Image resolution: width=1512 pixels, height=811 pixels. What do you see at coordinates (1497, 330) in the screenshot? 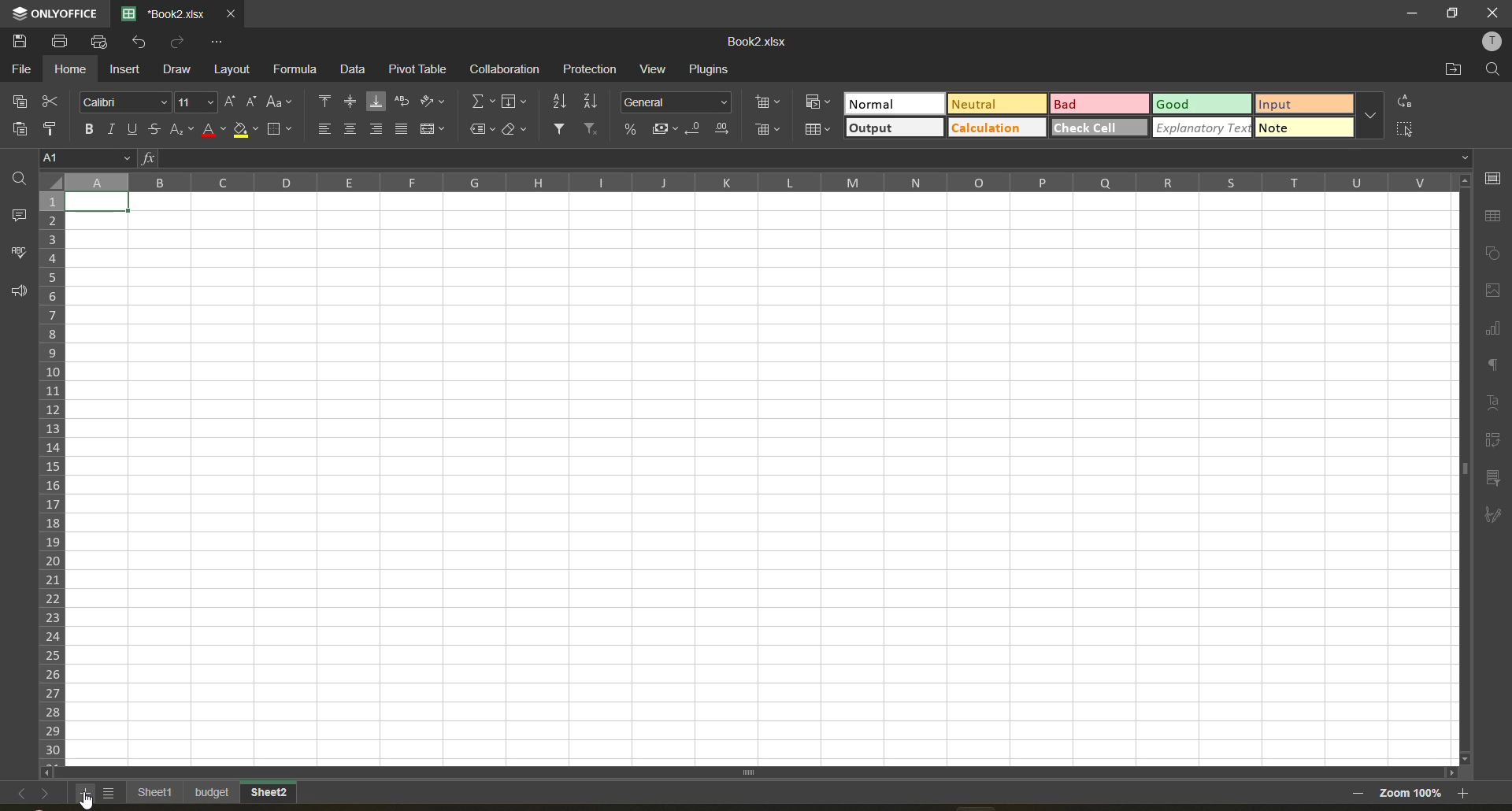
I see `charts` at bounding box center [1497, 330].